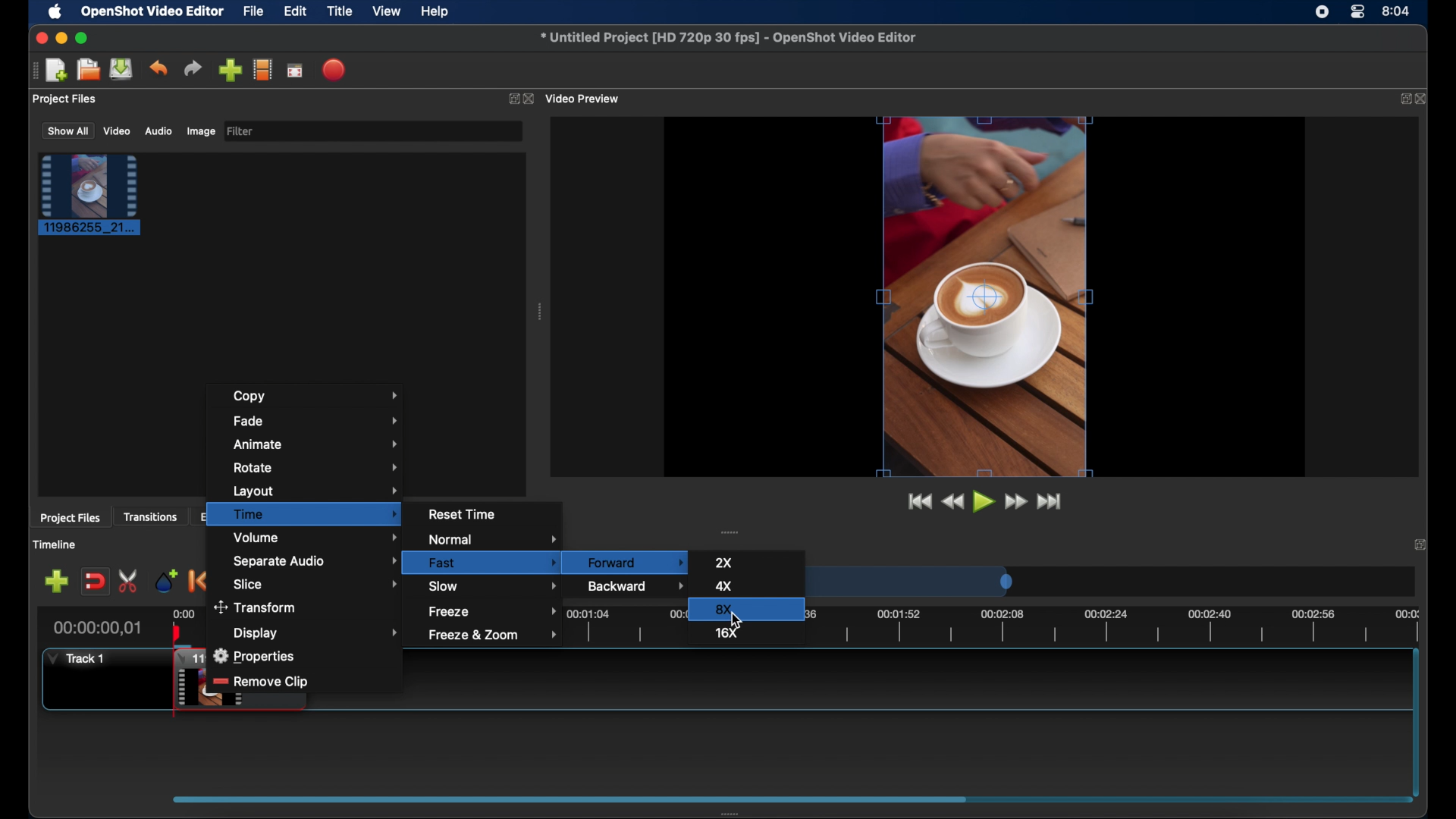 The width and height of the screenshot is (1456, 819). Describe the element at coordinates (745, 609) in the screenshot. I see `8x highlighted` at that location.